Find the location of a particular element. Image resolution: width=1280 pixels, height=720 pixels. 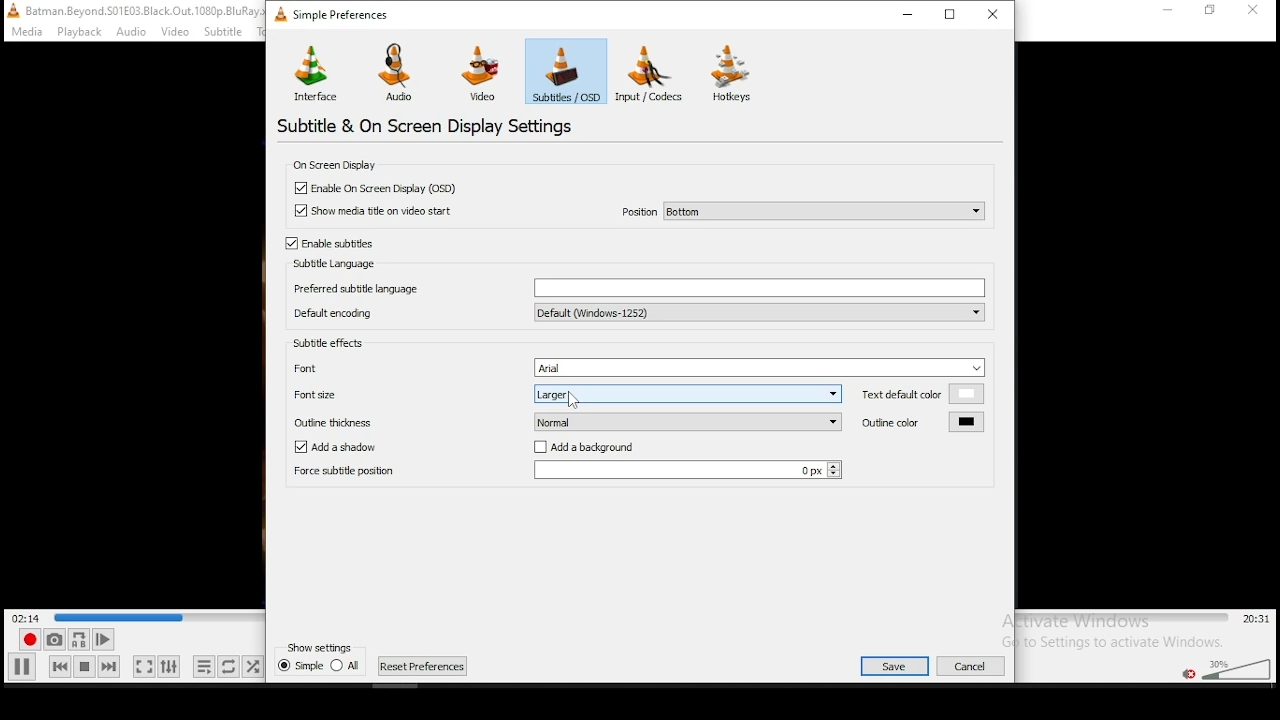

toggle fullscreen is located at coordinates (142, 666).